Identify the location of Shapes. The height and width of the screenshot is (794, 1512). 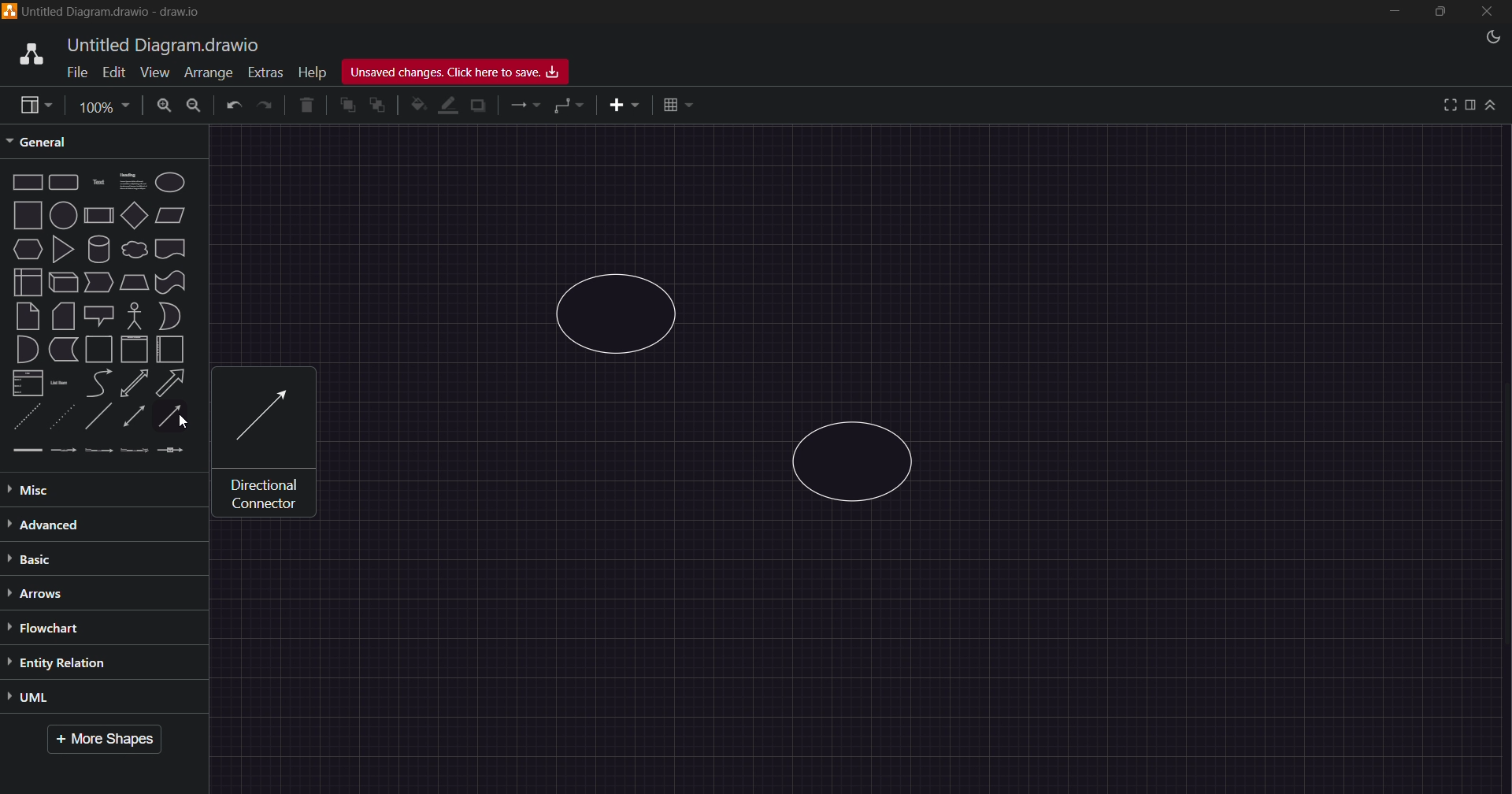
(100, 315).